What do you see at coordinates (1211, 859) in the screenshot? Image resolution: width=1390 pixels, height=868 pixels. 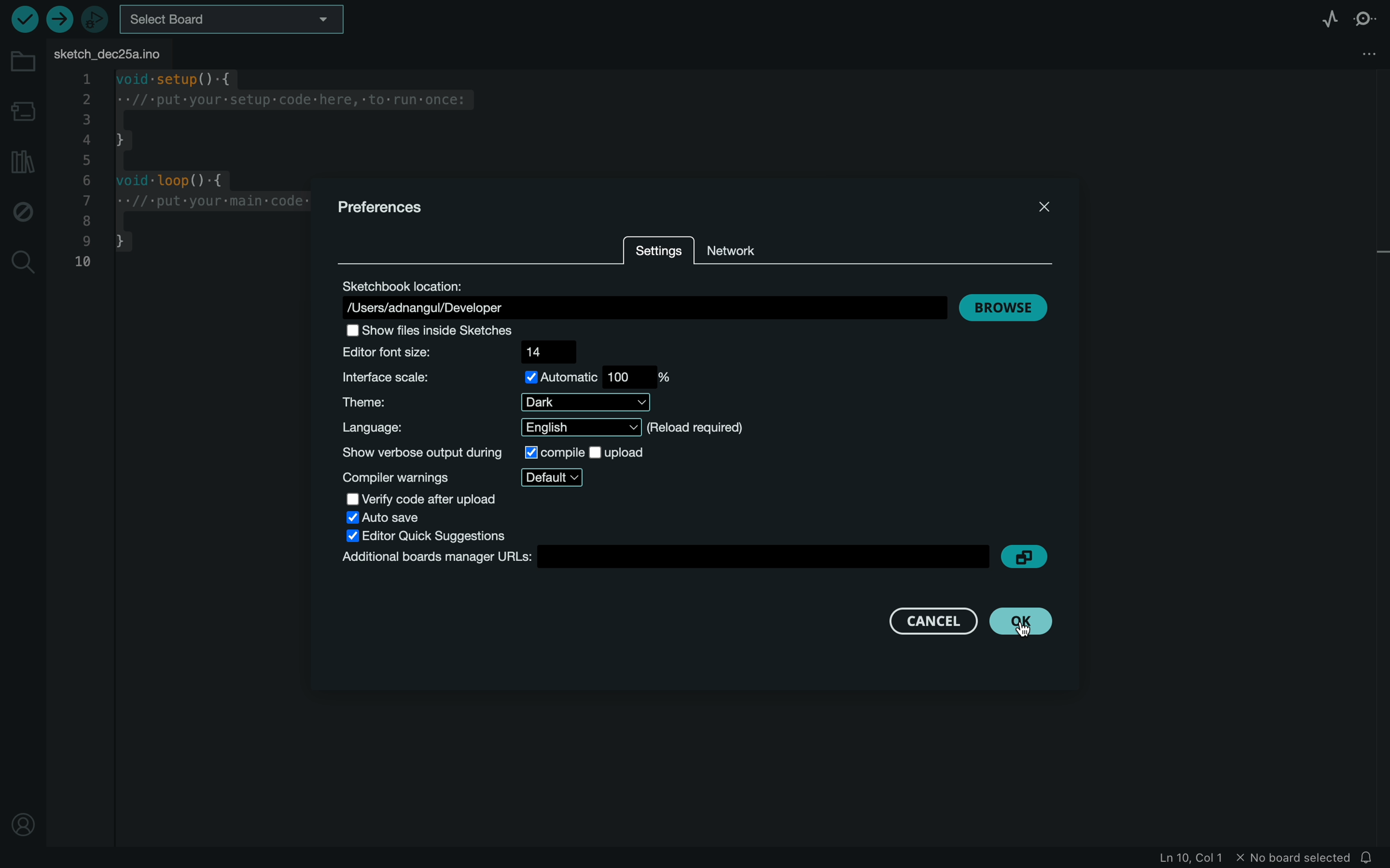 I see `file in formation` at bounding box center [1211, 859].